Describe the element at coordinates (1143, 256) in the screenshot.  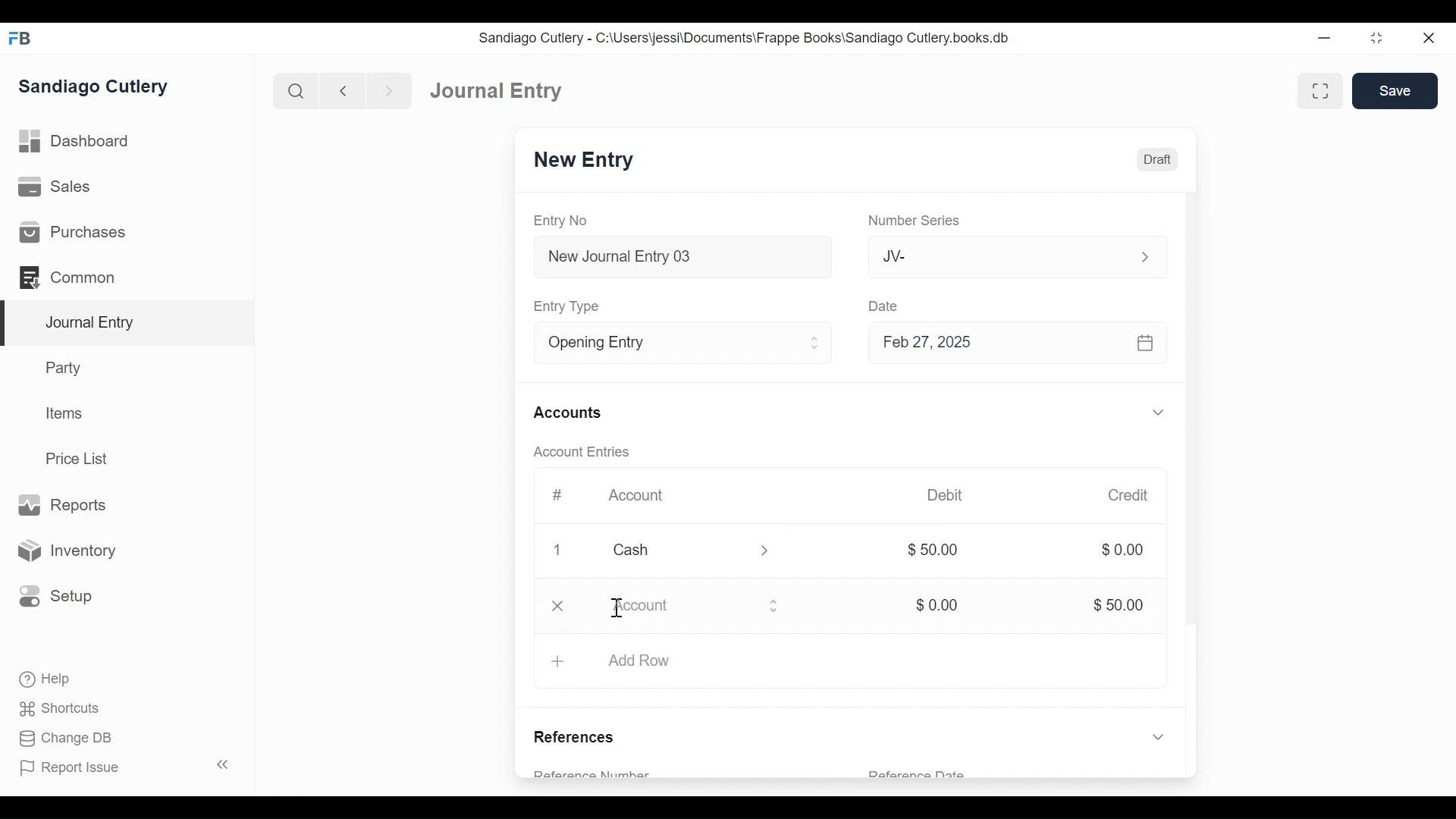
I see `Expand` at that location.